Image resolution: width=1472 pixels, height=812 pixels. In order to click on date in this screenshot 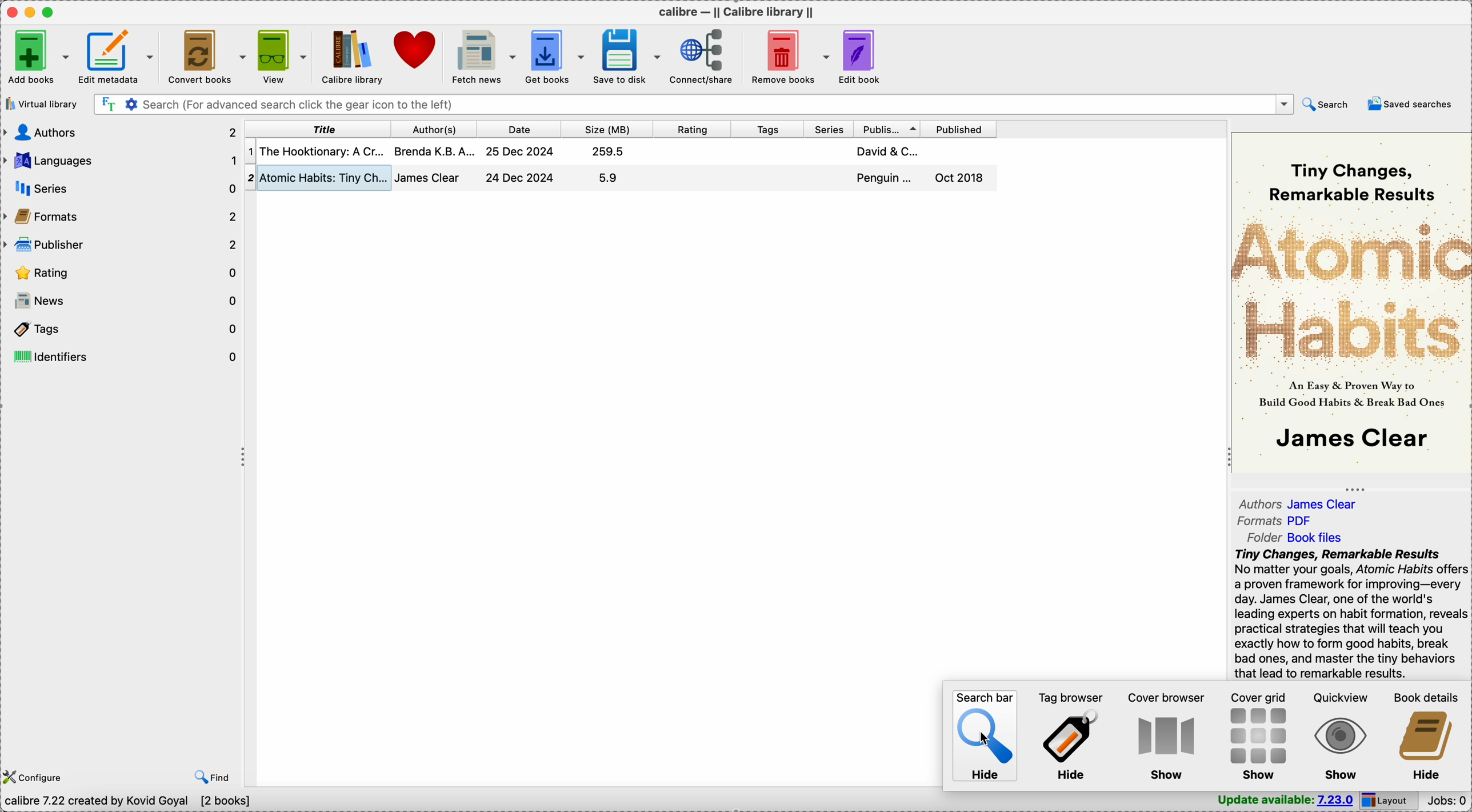, I will do `click(517, 129)`.